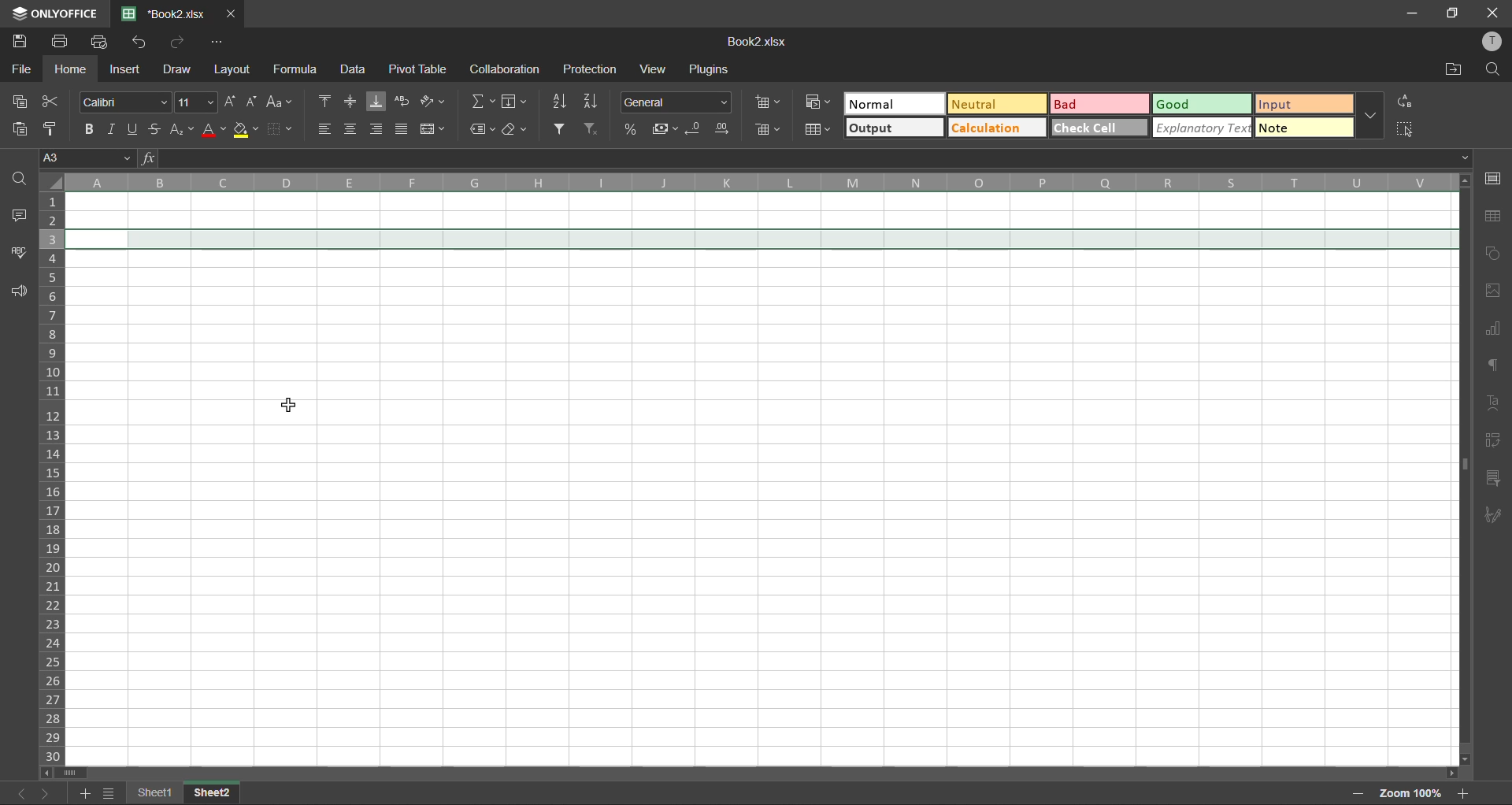  What do you see at coordinates (21, 131) in the screenshot?
I see `paste` at bounding box center [21, 131].